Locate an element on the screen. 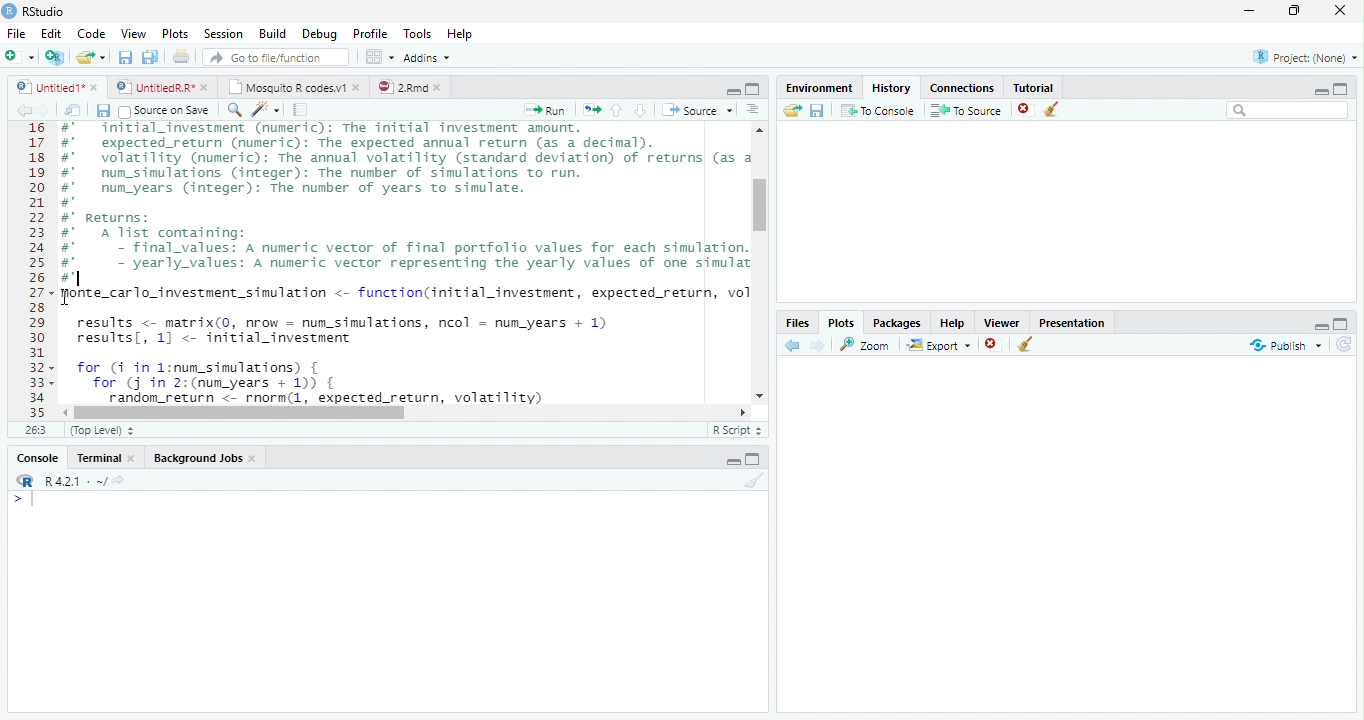  Terminal is located at coordinates (107, 457).